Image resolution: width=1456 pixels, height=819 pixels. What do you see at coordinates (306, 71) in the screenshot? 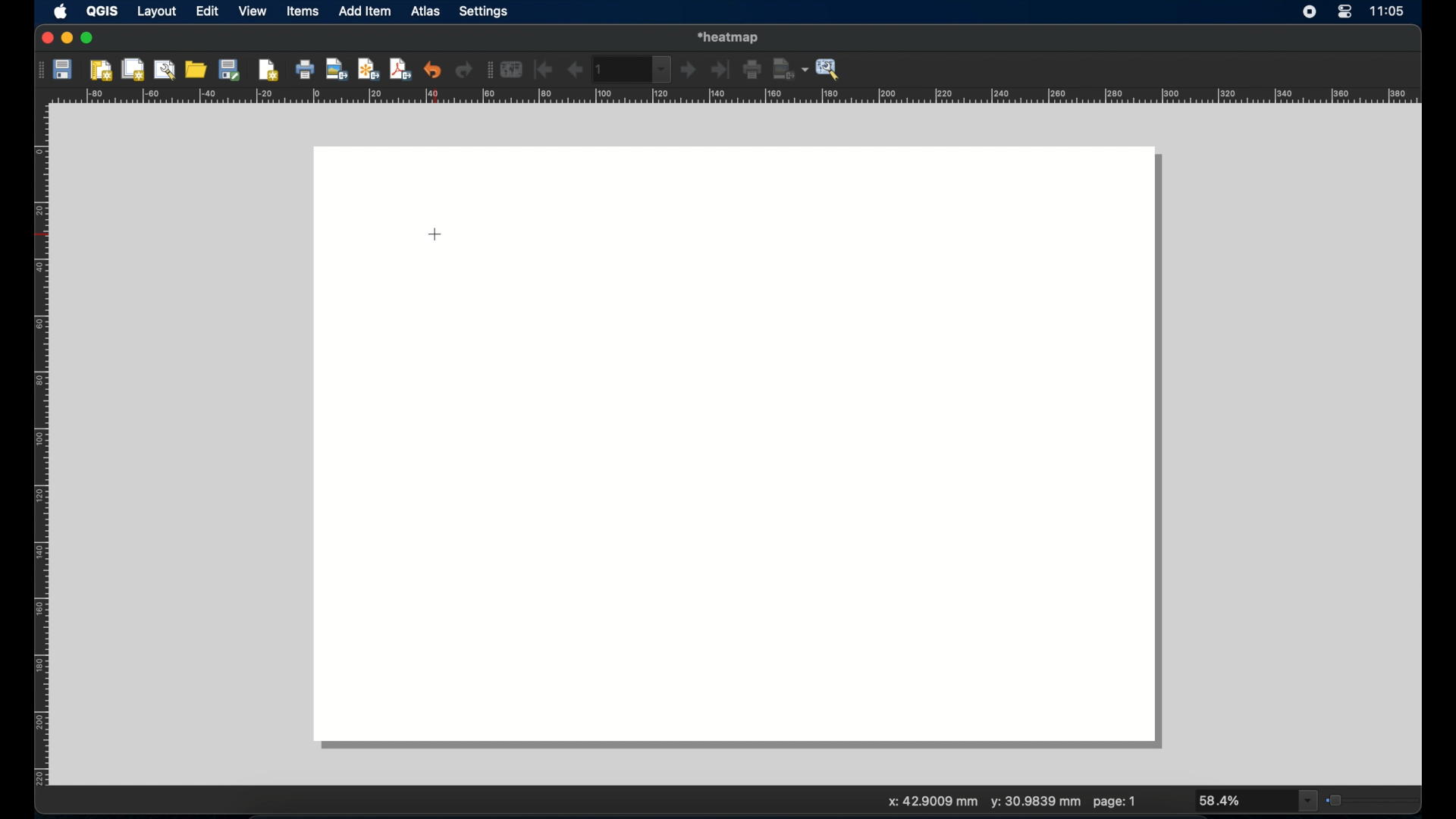
I see `print layout` at bounding box center [306, 71].